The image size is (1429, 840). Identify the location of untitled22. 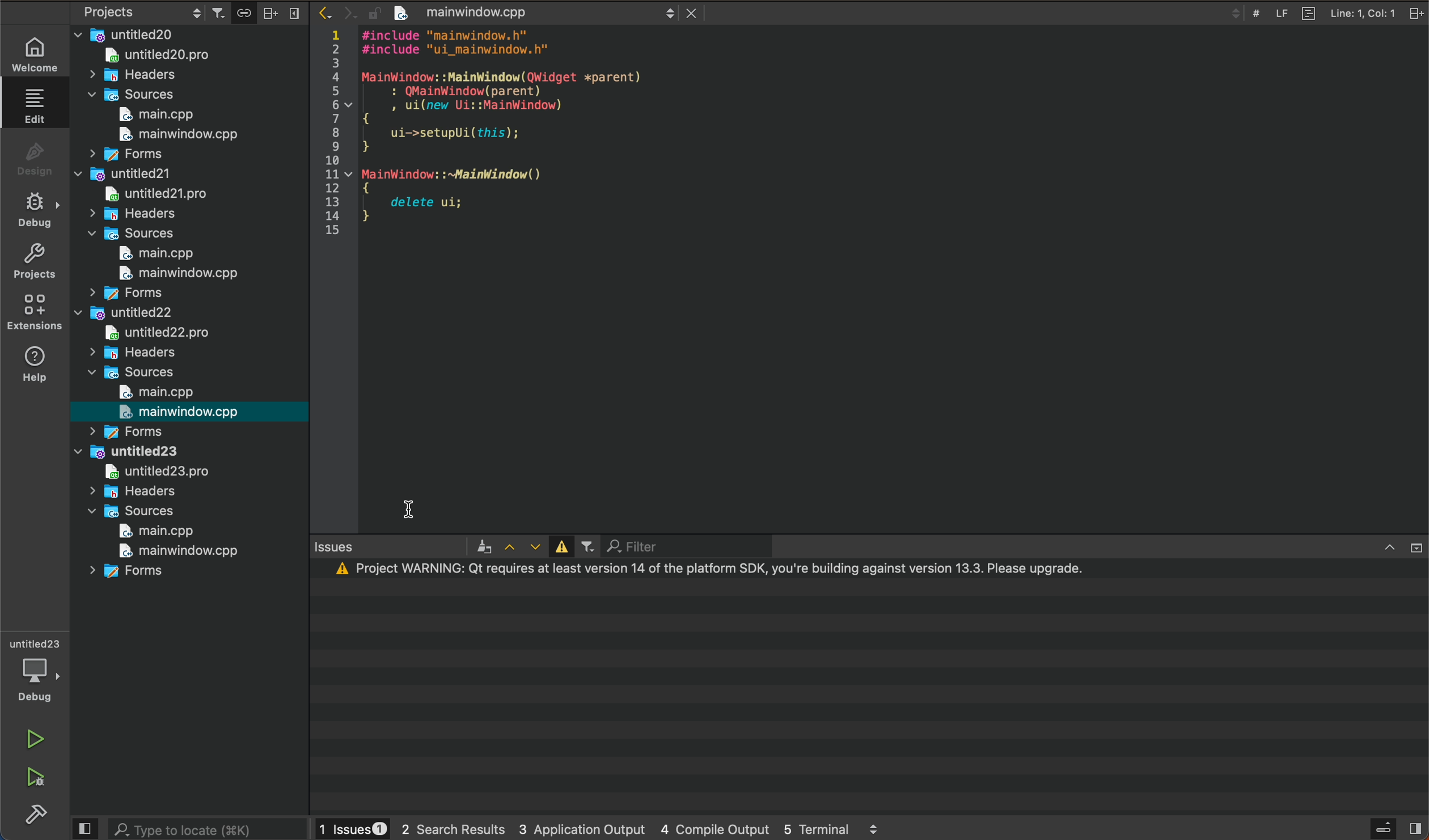
(127, 315).